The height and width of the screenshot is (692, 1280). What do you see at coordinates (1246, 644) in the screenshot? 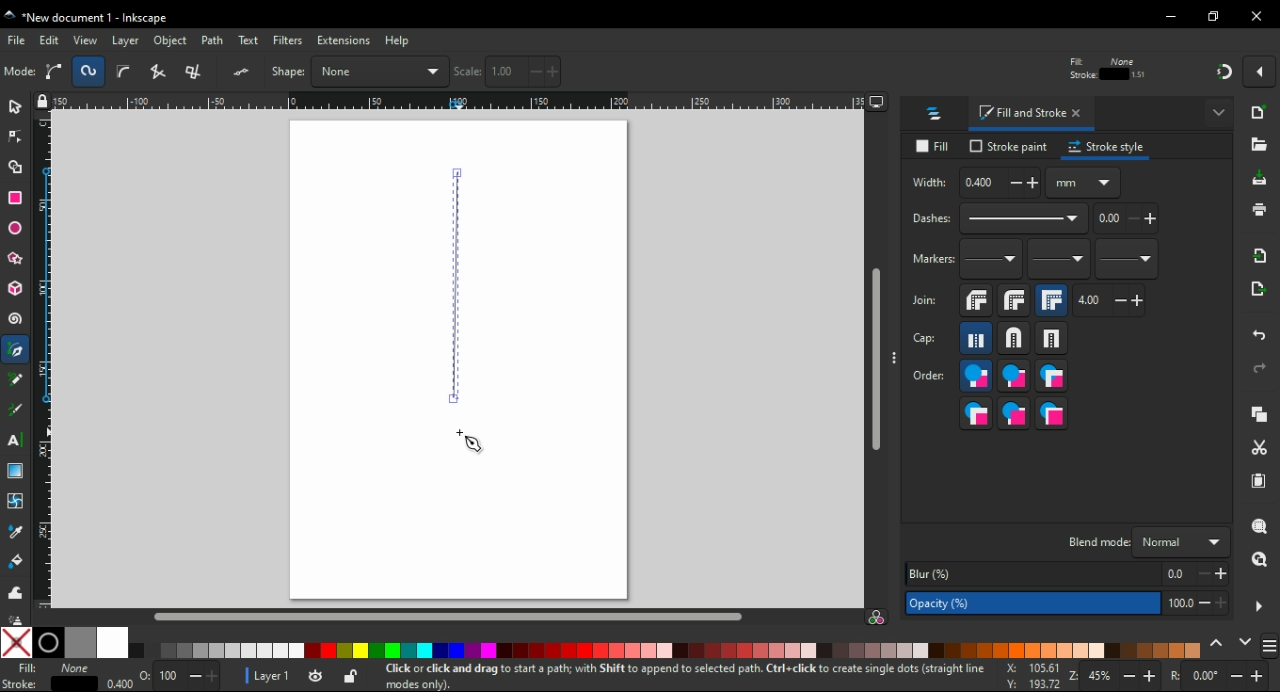
I see `next ` at bounding box center [1246, 644].